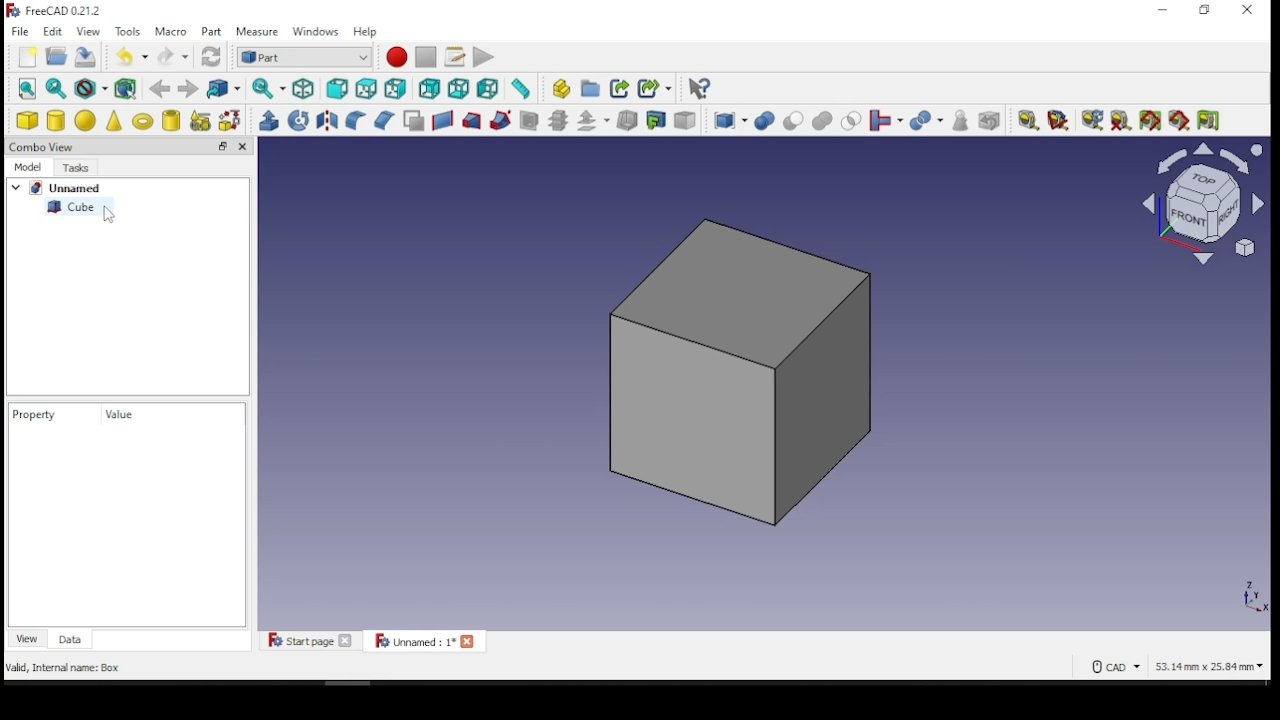 The image size is (1280, 720). Describe the element at coordinates (530, 121) in the screenshot. I see `section` at that location.